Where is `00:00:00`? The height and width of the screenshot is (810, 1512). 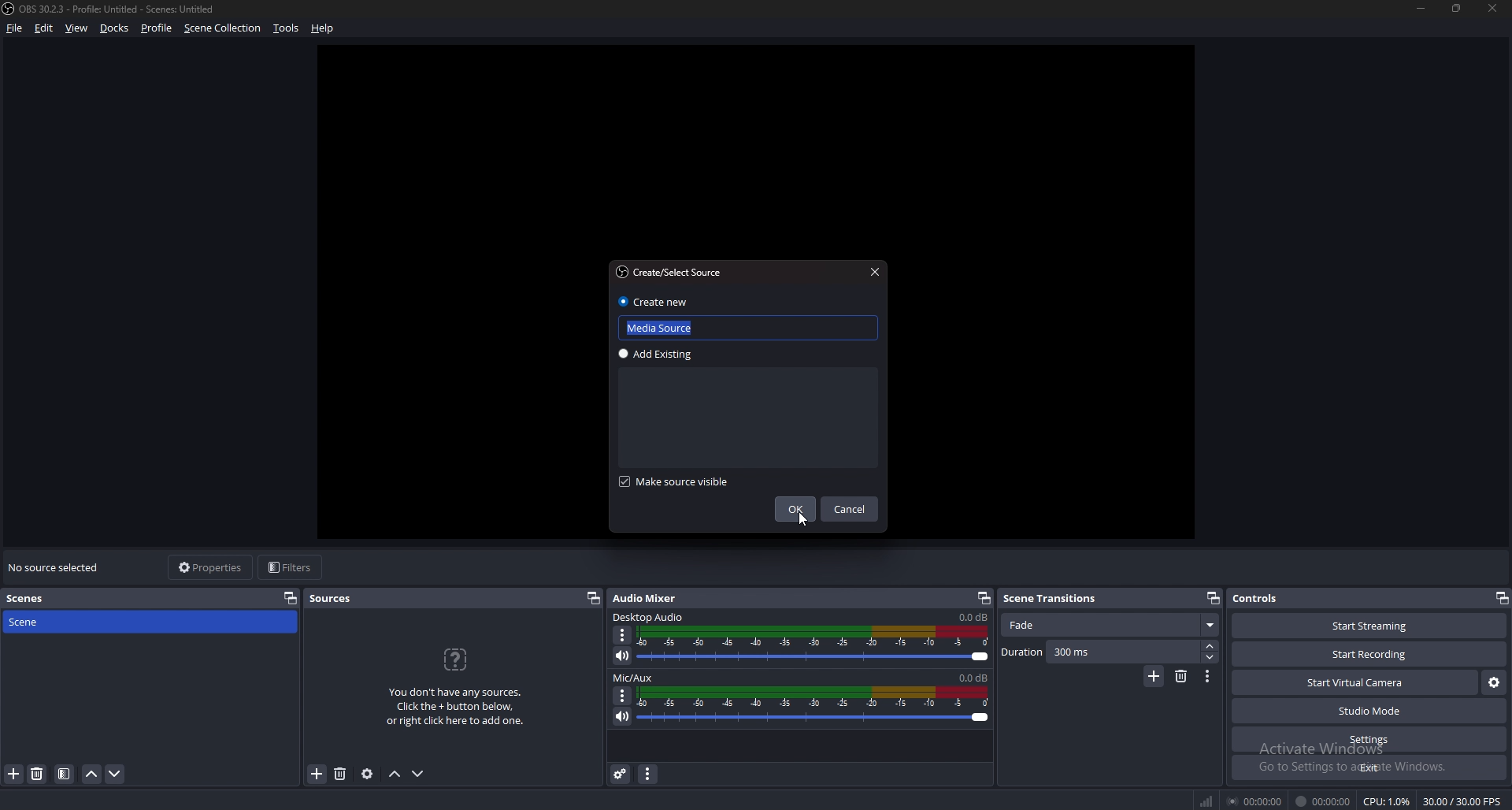
00:00:00 is located at coordinates (1323, 801).